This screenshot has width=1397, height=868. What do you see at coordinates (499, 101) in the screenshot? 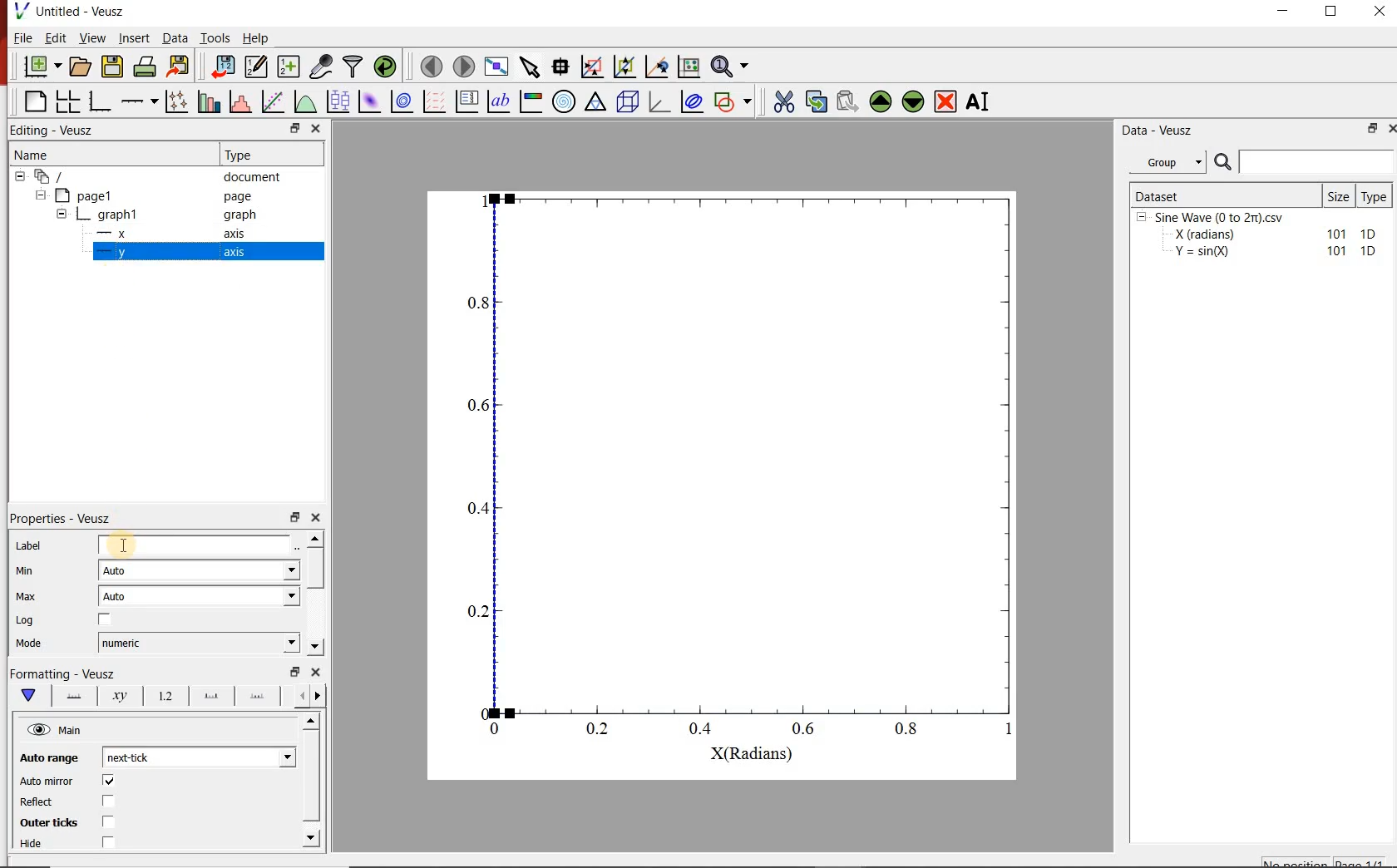
I see `text label` at bounding box center [499, 101].